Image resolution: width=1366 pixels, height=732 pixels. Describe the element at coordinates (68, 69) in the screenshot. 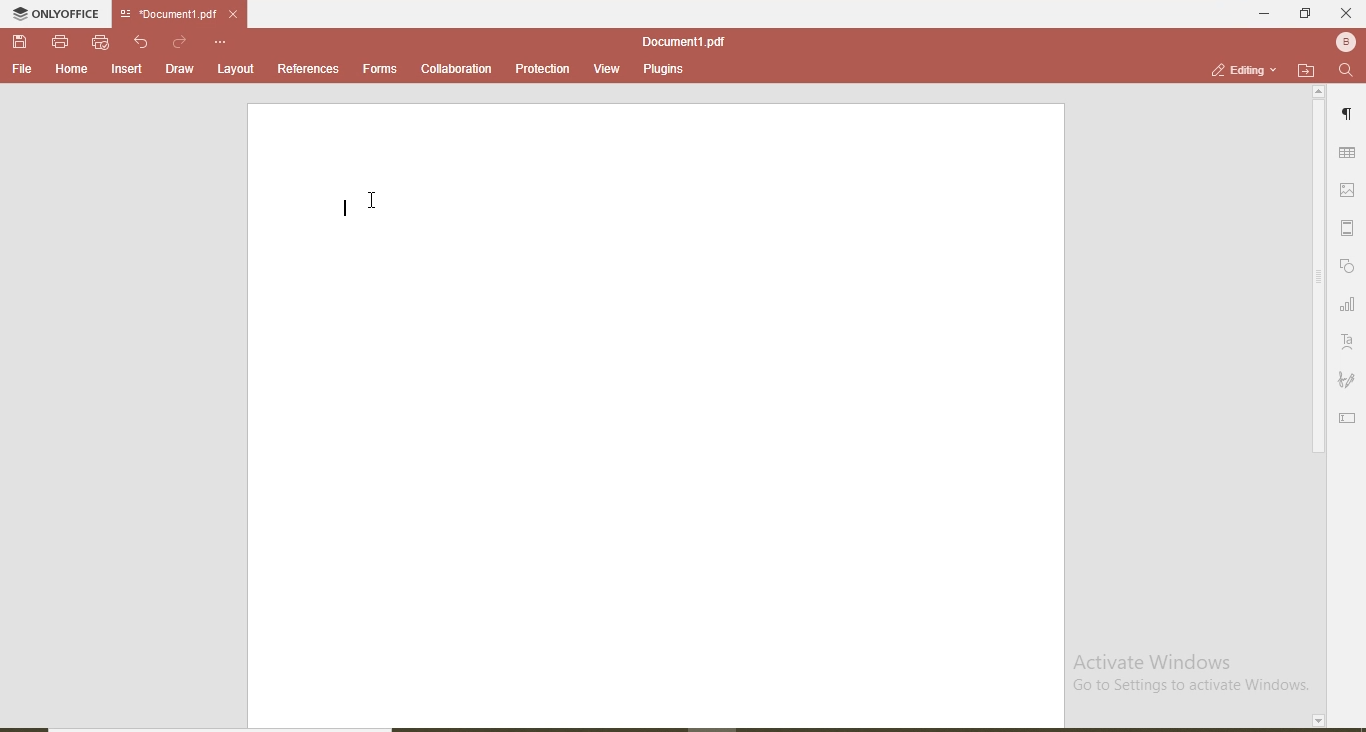

I see `home` at that location.